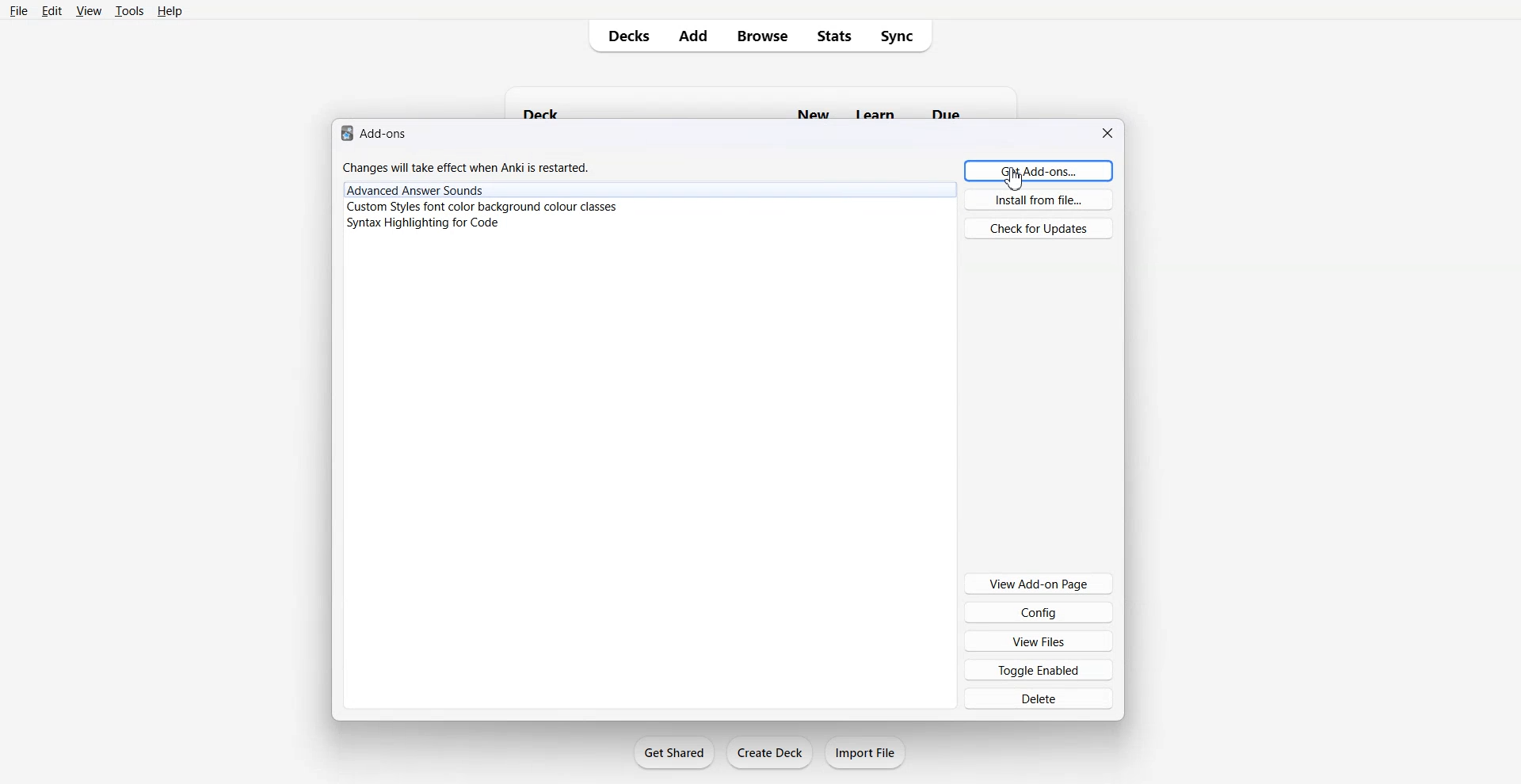 This screenshot has height=784, width=1521. What do you see at coordinates (1039, 170) in the screenshot?
I see `Get Add-ons` at bounding box center [1039, 170].